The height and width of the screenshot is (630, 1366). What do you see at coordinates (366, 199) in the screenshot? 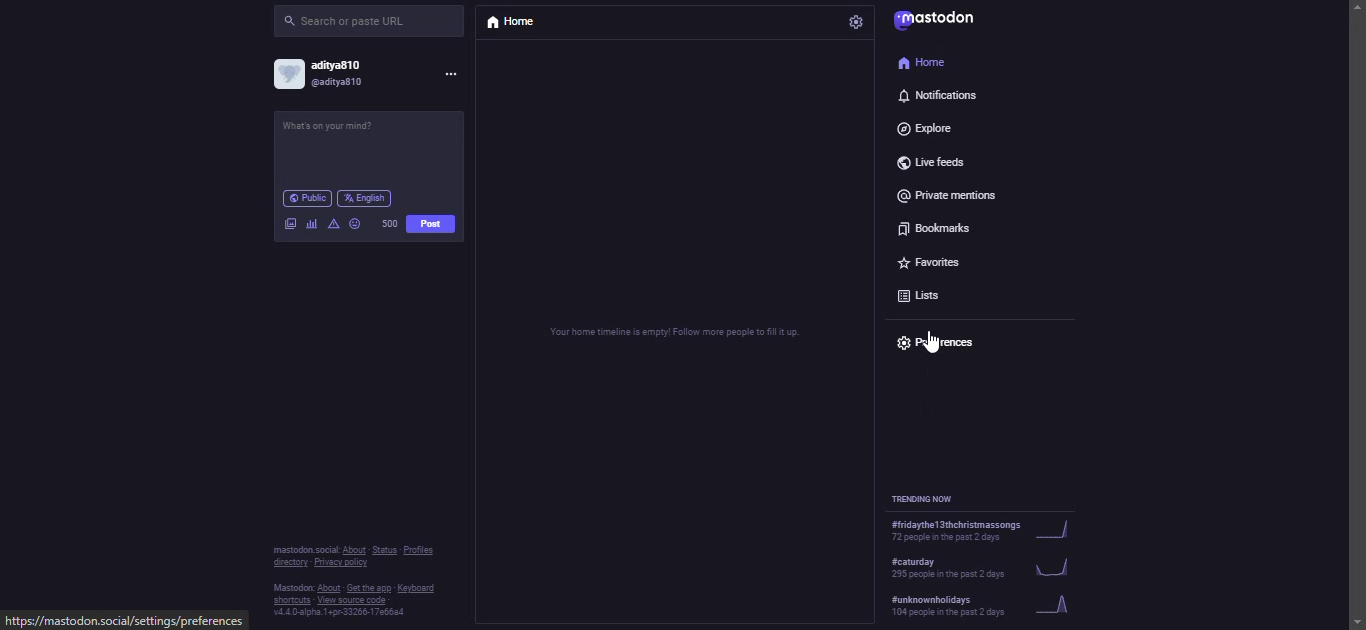
I see `english` at bounding box center [366, 199].